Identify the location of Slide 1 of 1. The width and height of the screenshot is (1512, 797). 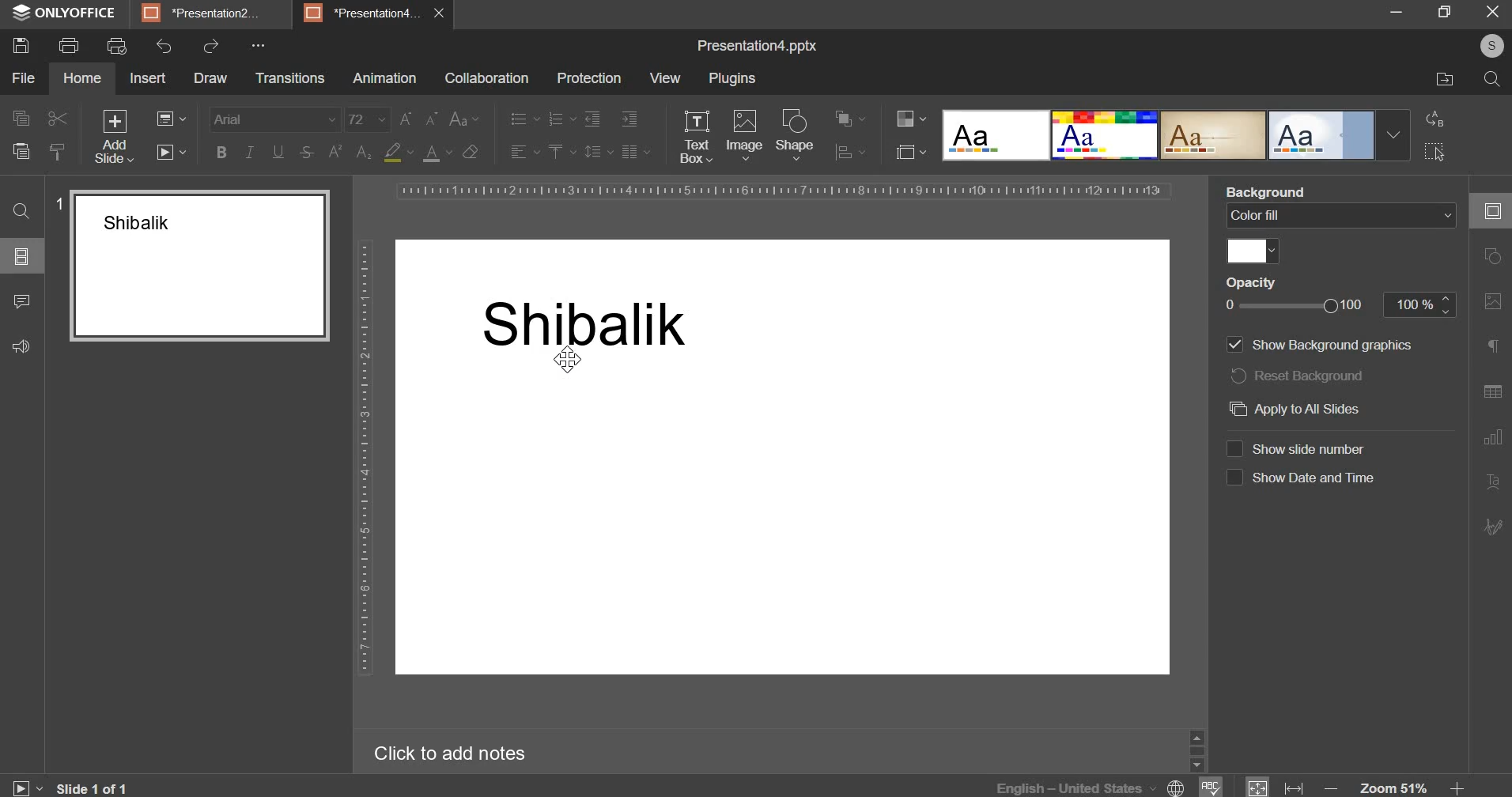
(99, 786).